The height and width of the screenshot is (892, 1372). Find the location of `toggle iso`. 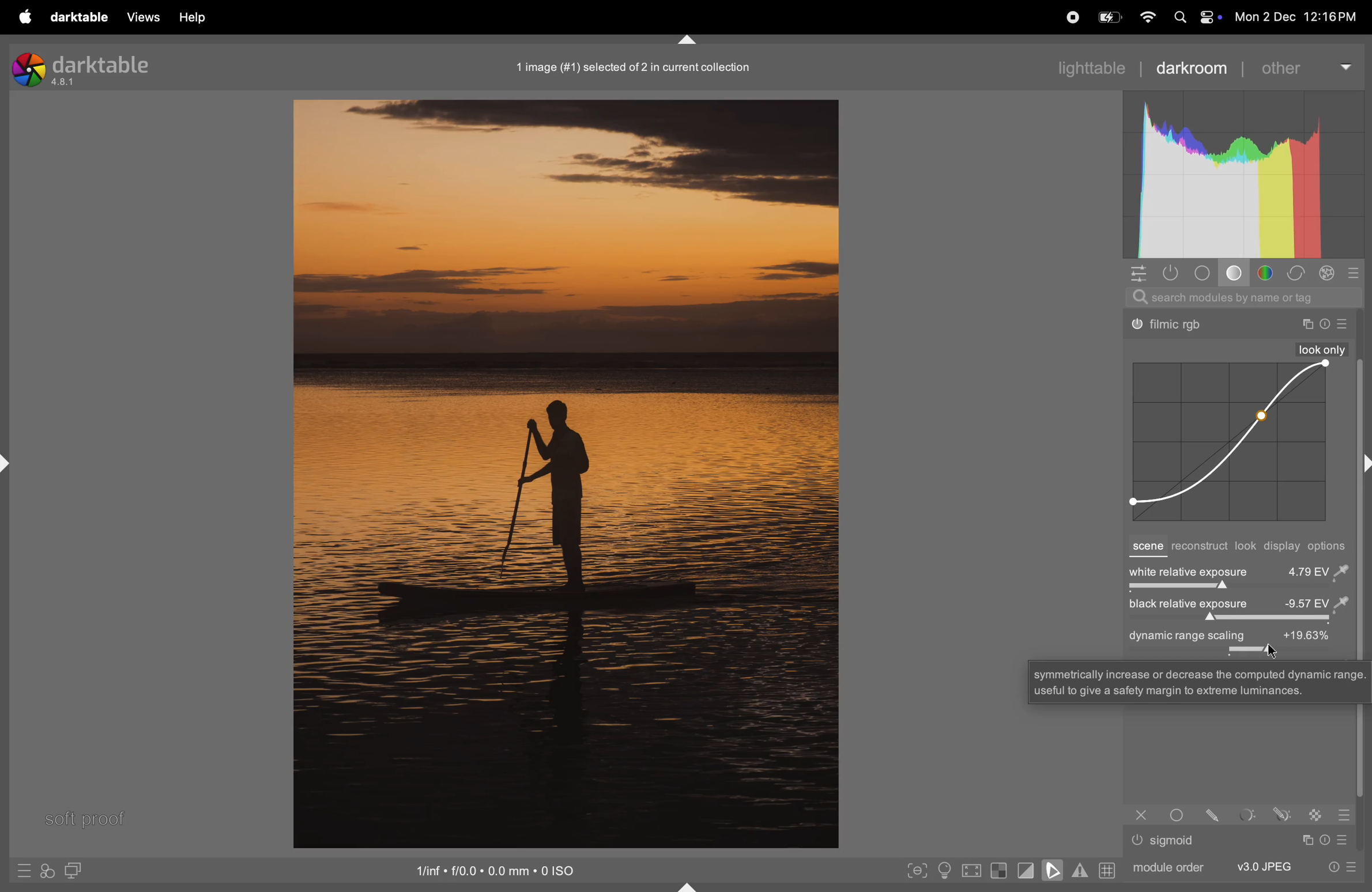

toggle iso is located at coordinates (948, 871).